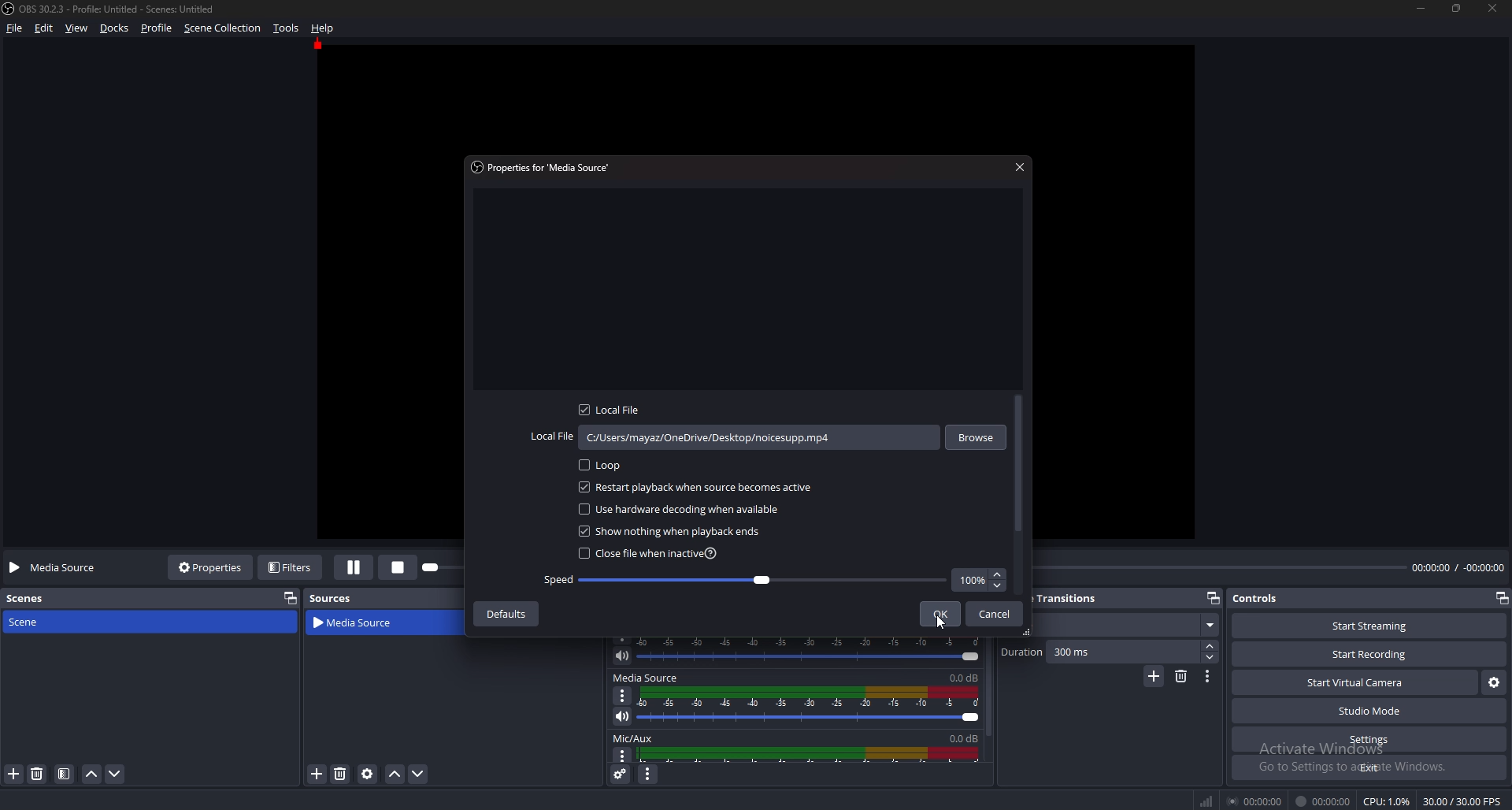  What do you see at coordinates (46, 28) in the screenshot?
I see `Edit` at bounding box center [46, 28].